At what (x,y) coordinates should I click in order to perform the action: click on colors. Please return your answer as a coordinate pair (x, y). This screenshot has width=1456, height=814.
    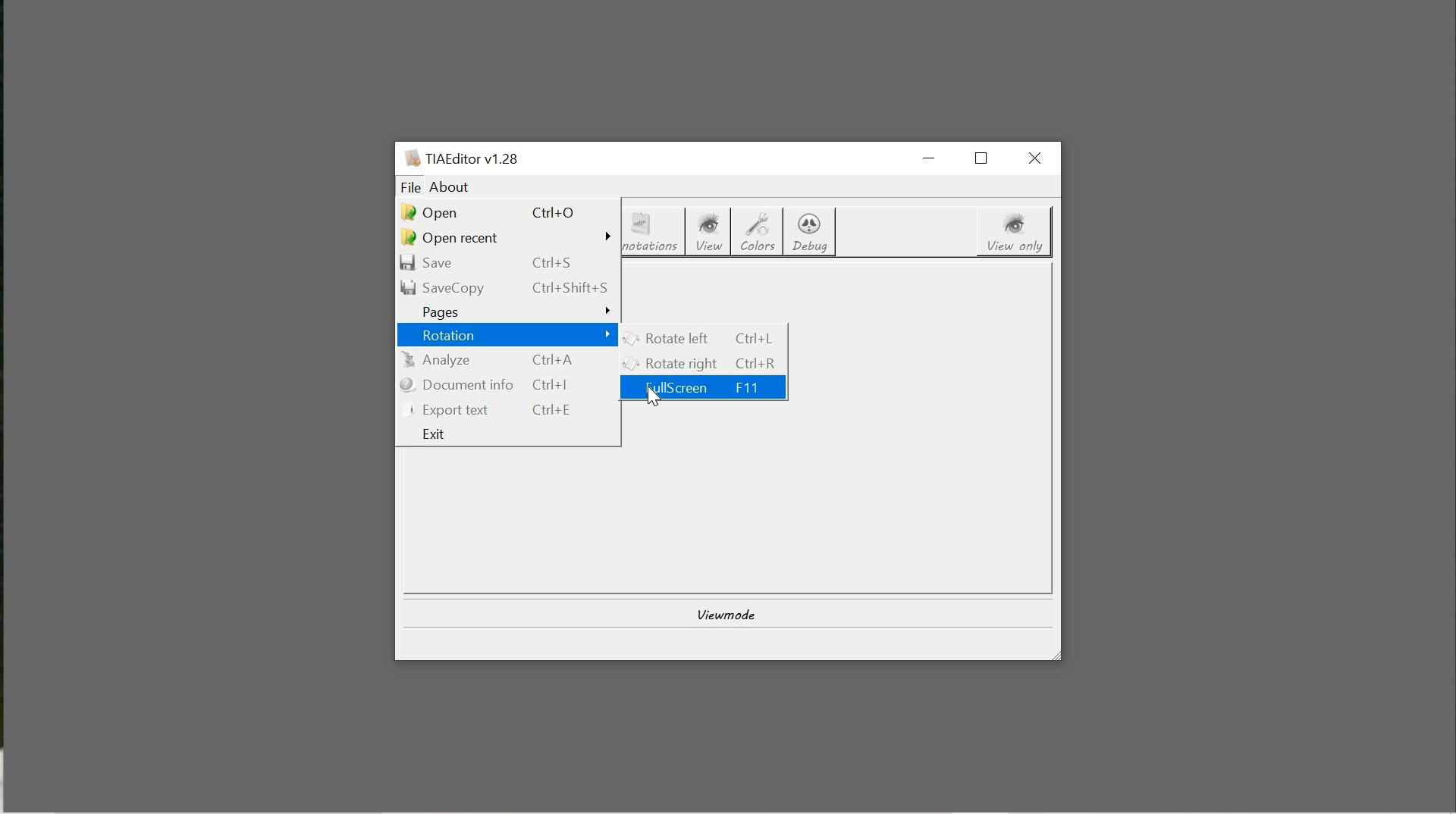
    Looking at the image, I should click on (759, 233).